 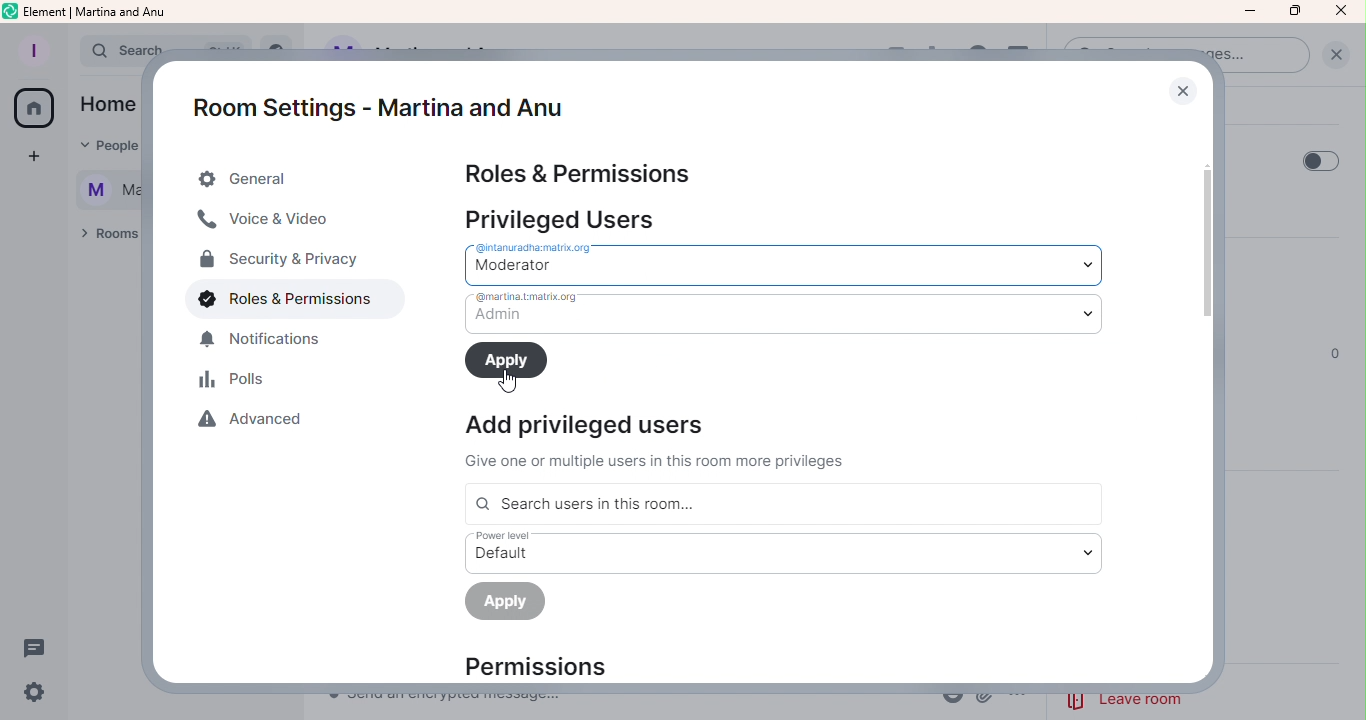 What do you see at coordinates (237, 382) in the screenshot?
I see `Polls` at bounding box center [237, 382].